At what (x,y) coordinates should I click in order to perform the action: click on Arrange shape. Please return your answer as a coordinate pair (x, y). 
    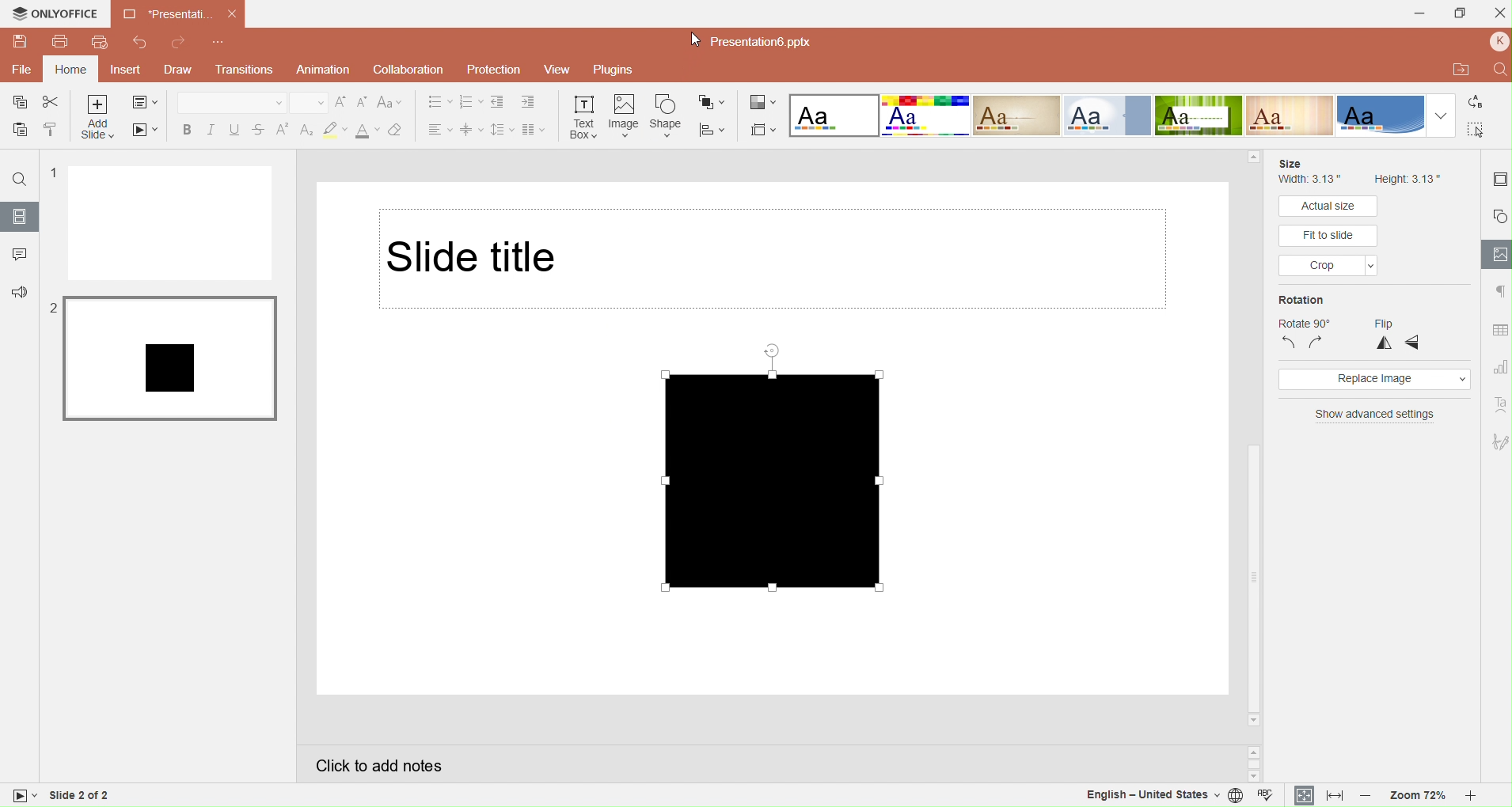
    Looking at the image, I should click on (712, 101).